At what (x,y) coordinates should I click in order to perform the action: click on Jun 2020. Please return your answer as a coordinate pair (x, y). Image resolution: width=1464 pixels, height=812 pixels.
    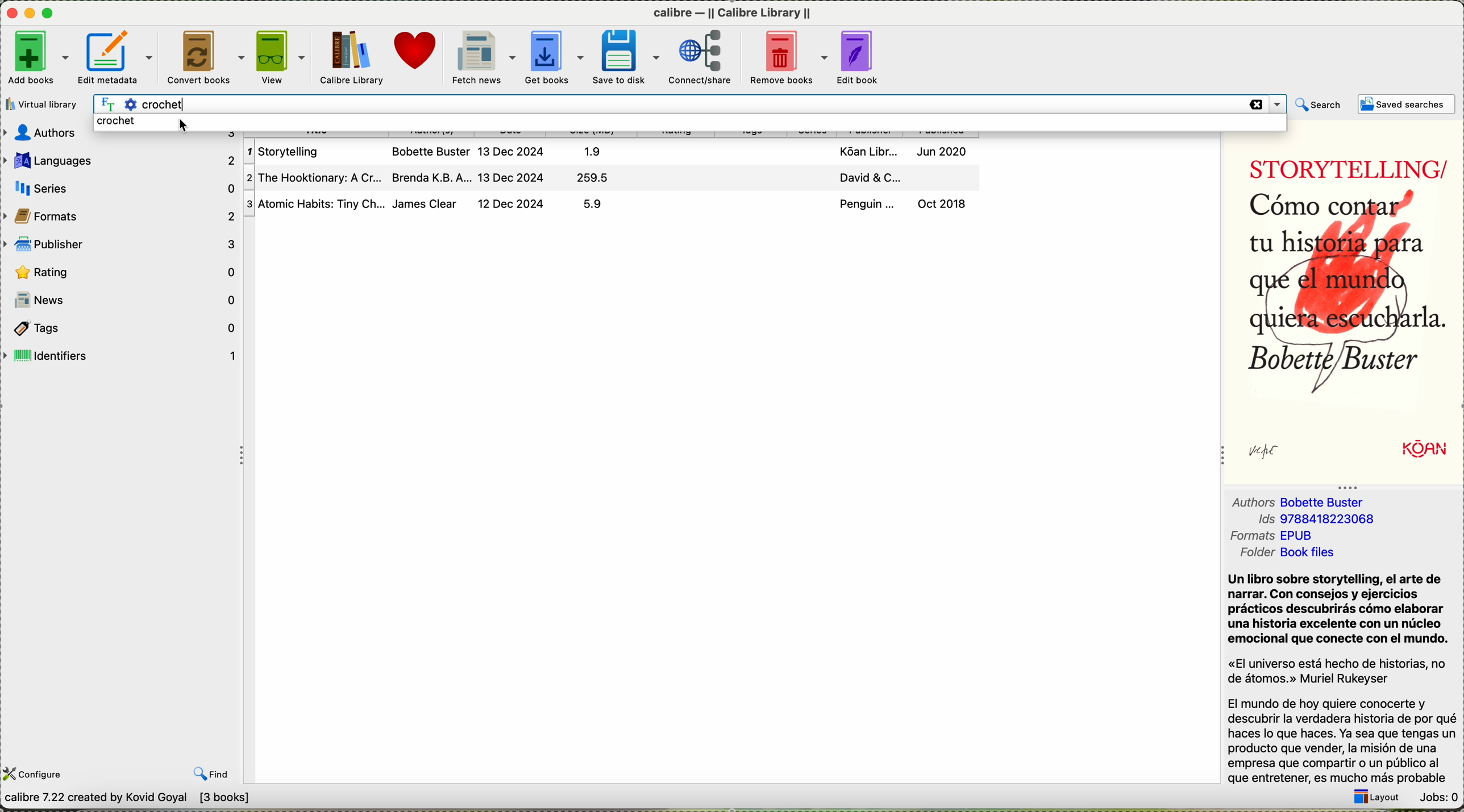
    Looking at the image, I should click on (947, 151).